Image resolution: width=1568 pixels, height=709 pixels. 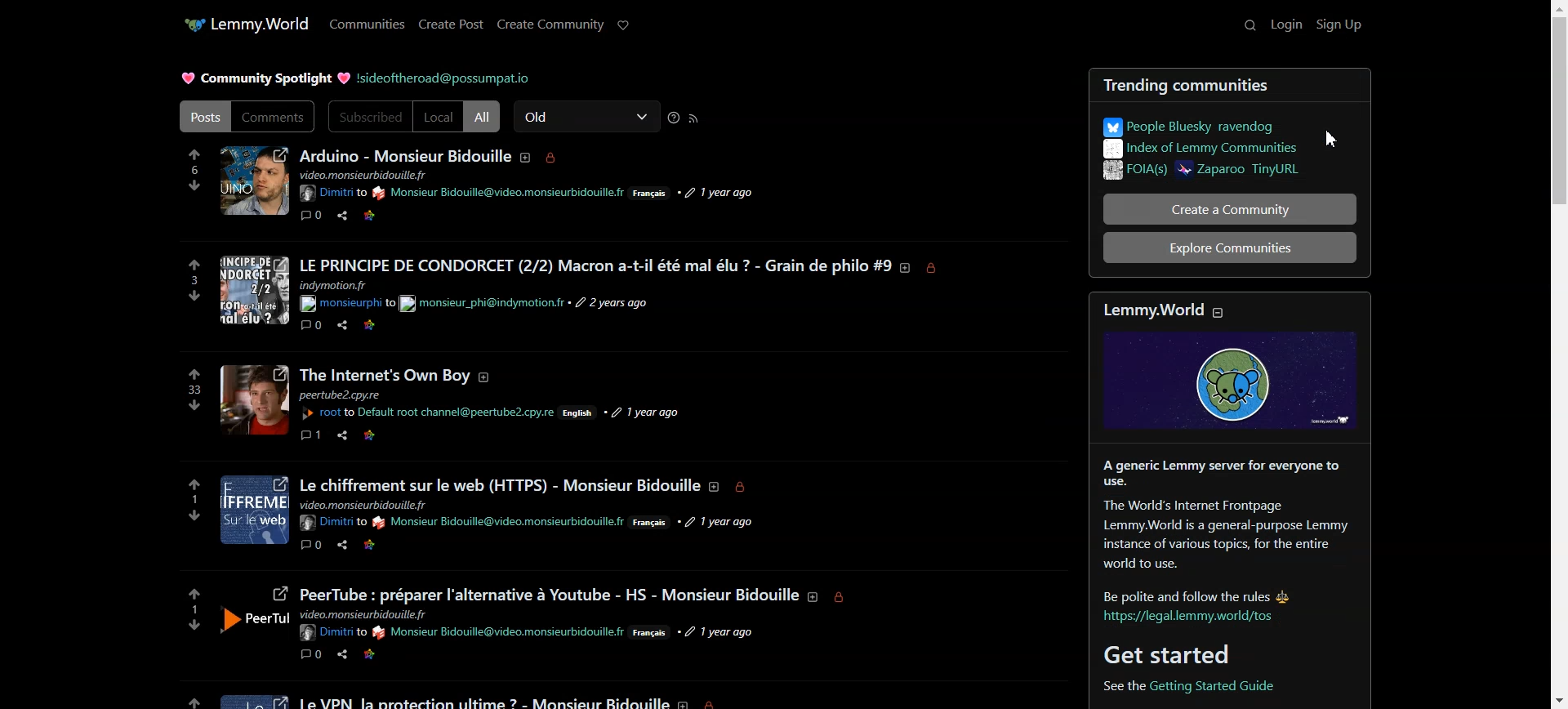 I want to click on Profile Pic, so click(x=253, y=181).